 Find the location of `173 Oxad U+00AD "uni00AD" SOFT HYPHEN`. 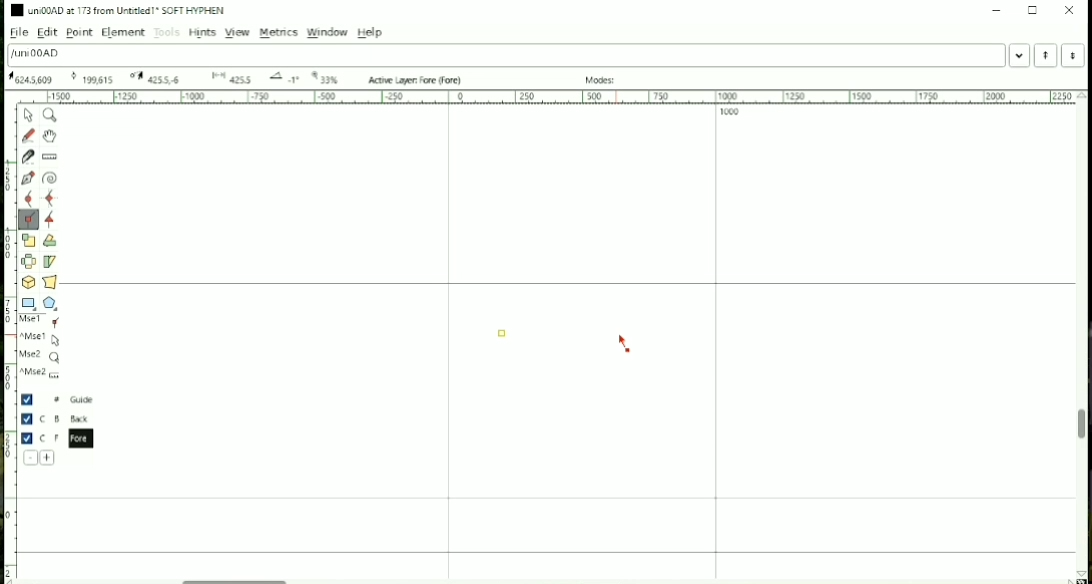

173 Oxad U+00AD "uni00AD" SOFT HYPHEN is located at coordinates (1077, 576).